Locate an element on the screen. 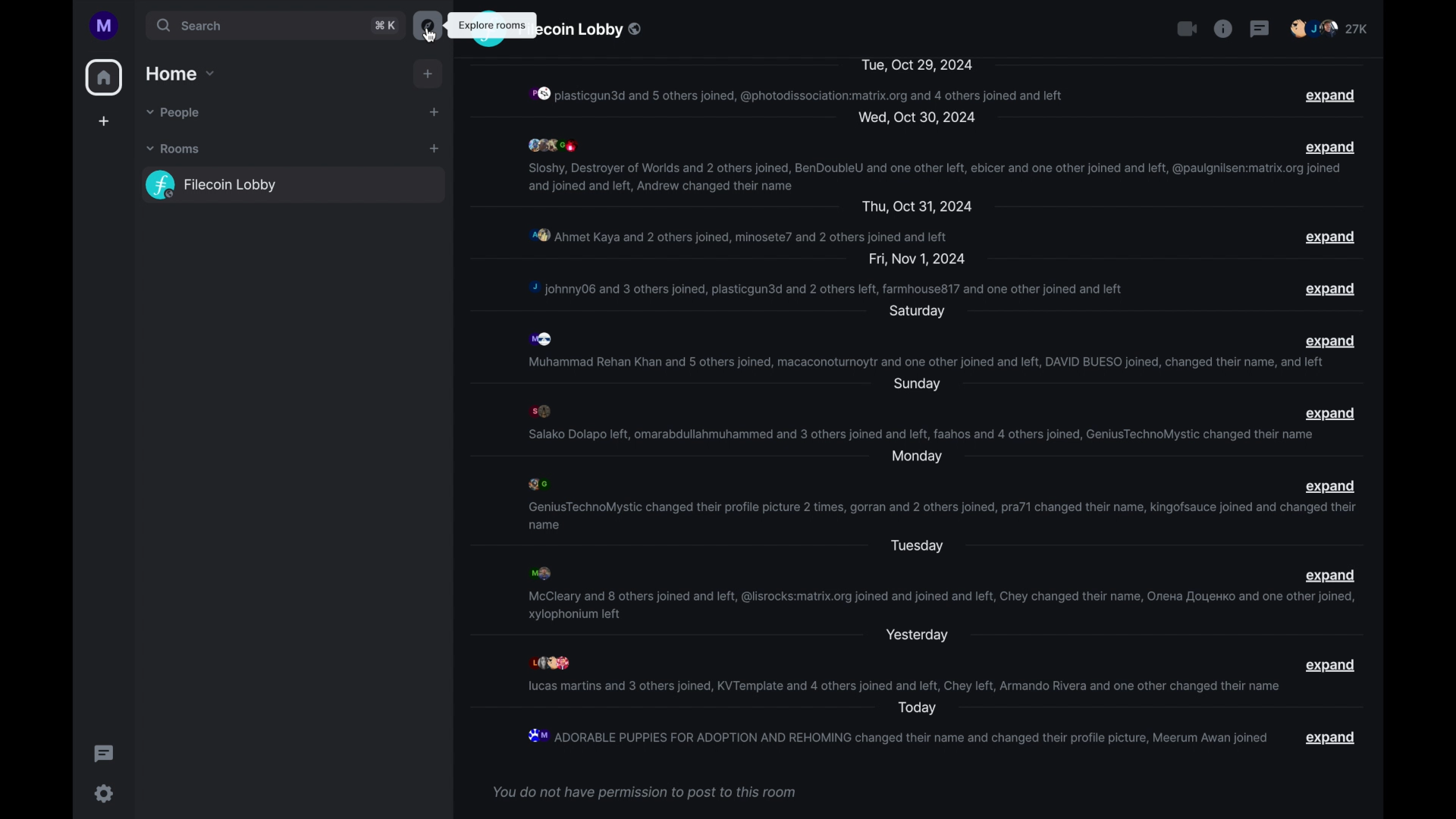 The image size is (1456, 819). participants is located at coordinates (552, 145).